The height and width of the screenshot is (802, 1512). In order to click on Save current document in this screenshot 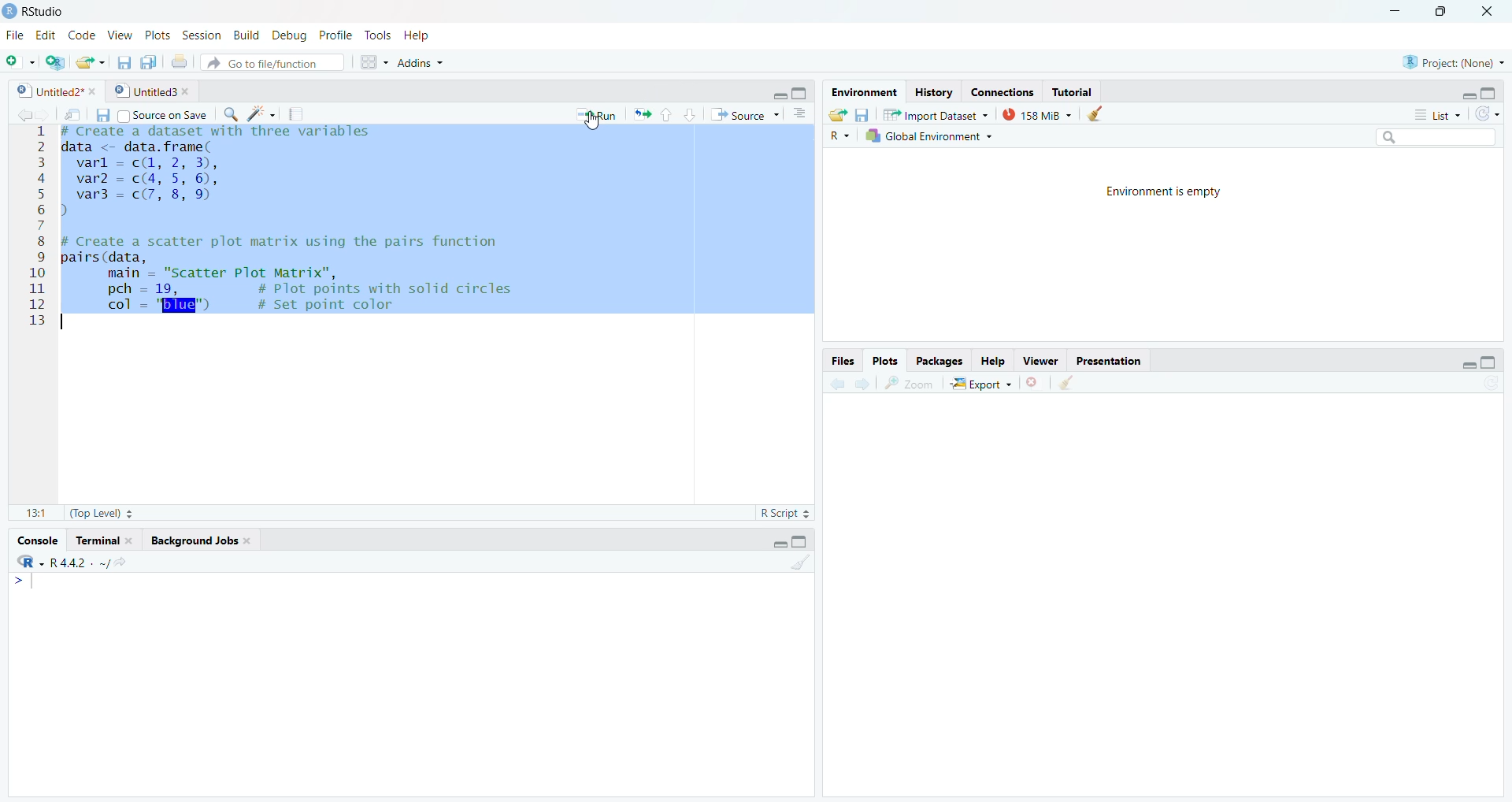, I will do `click(102, 114)`.